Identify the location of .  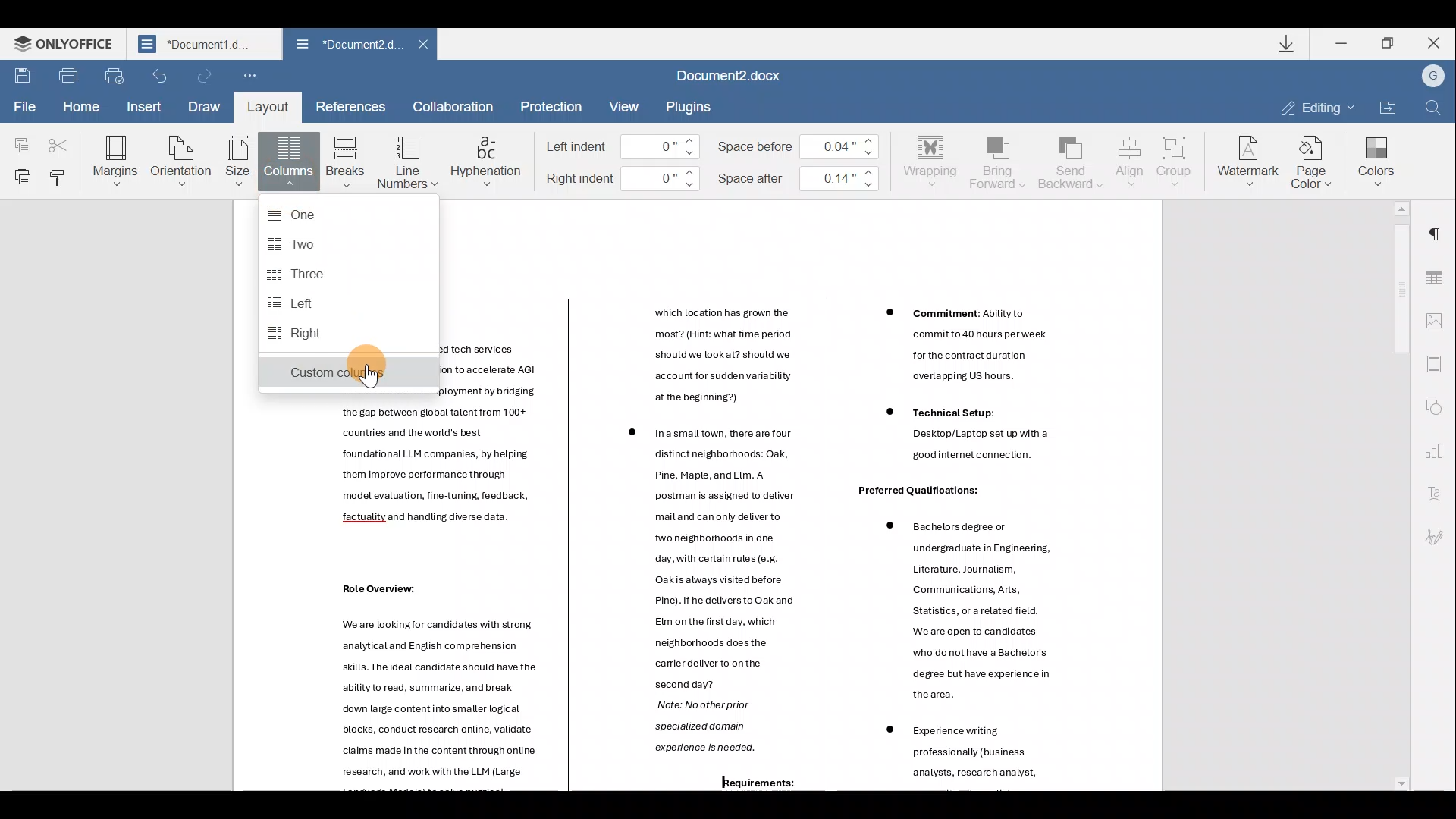
(955, 438).